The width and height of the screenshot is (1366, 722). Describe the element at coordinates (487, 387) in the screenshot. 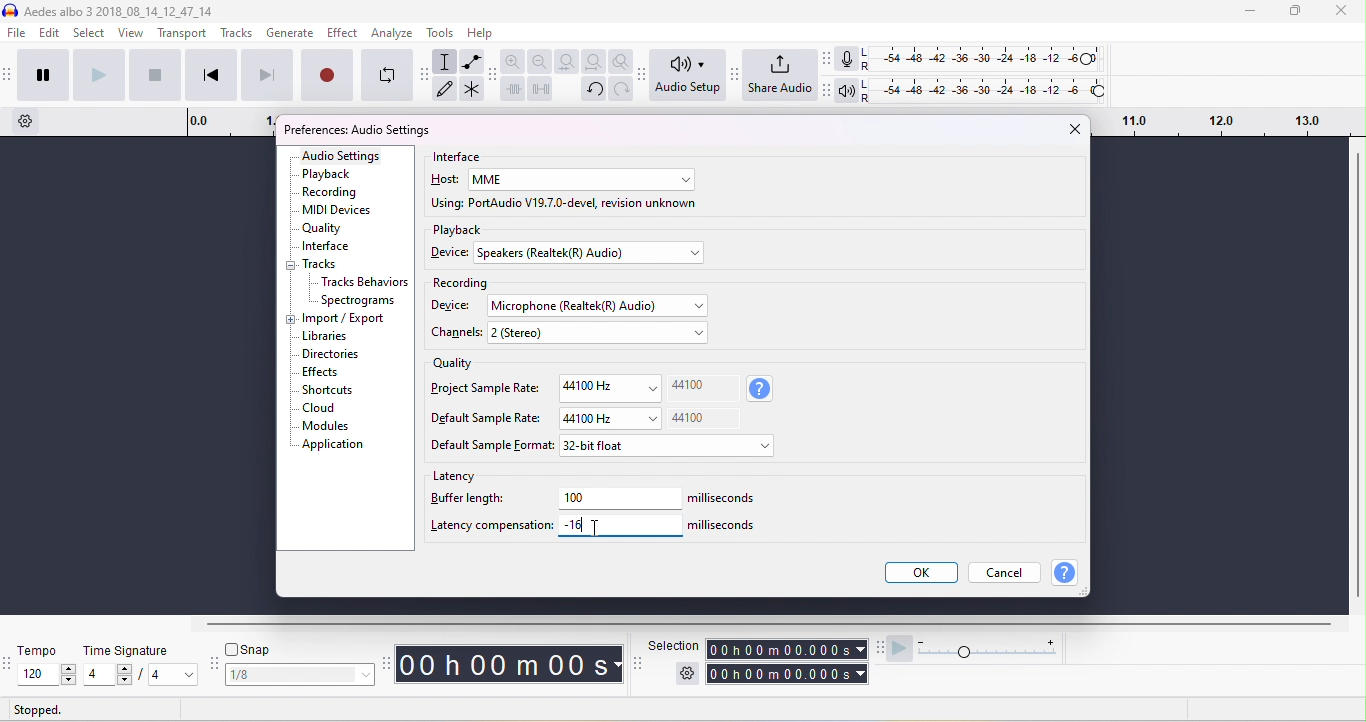

I see `project sample rate` at that location.